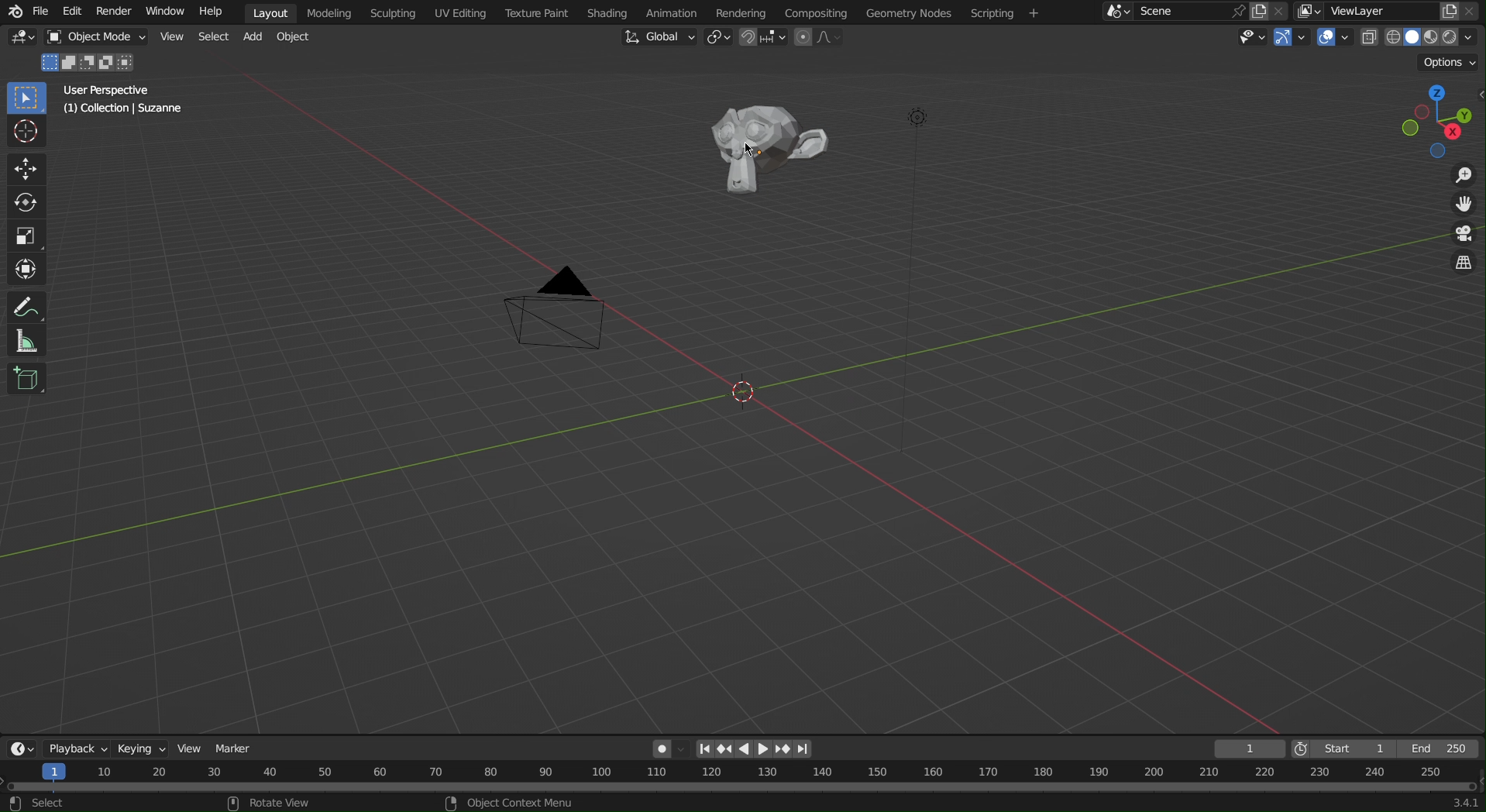  Describe the element at coordinates (675, 12) in the screenshot. I see `Animation` at that location.